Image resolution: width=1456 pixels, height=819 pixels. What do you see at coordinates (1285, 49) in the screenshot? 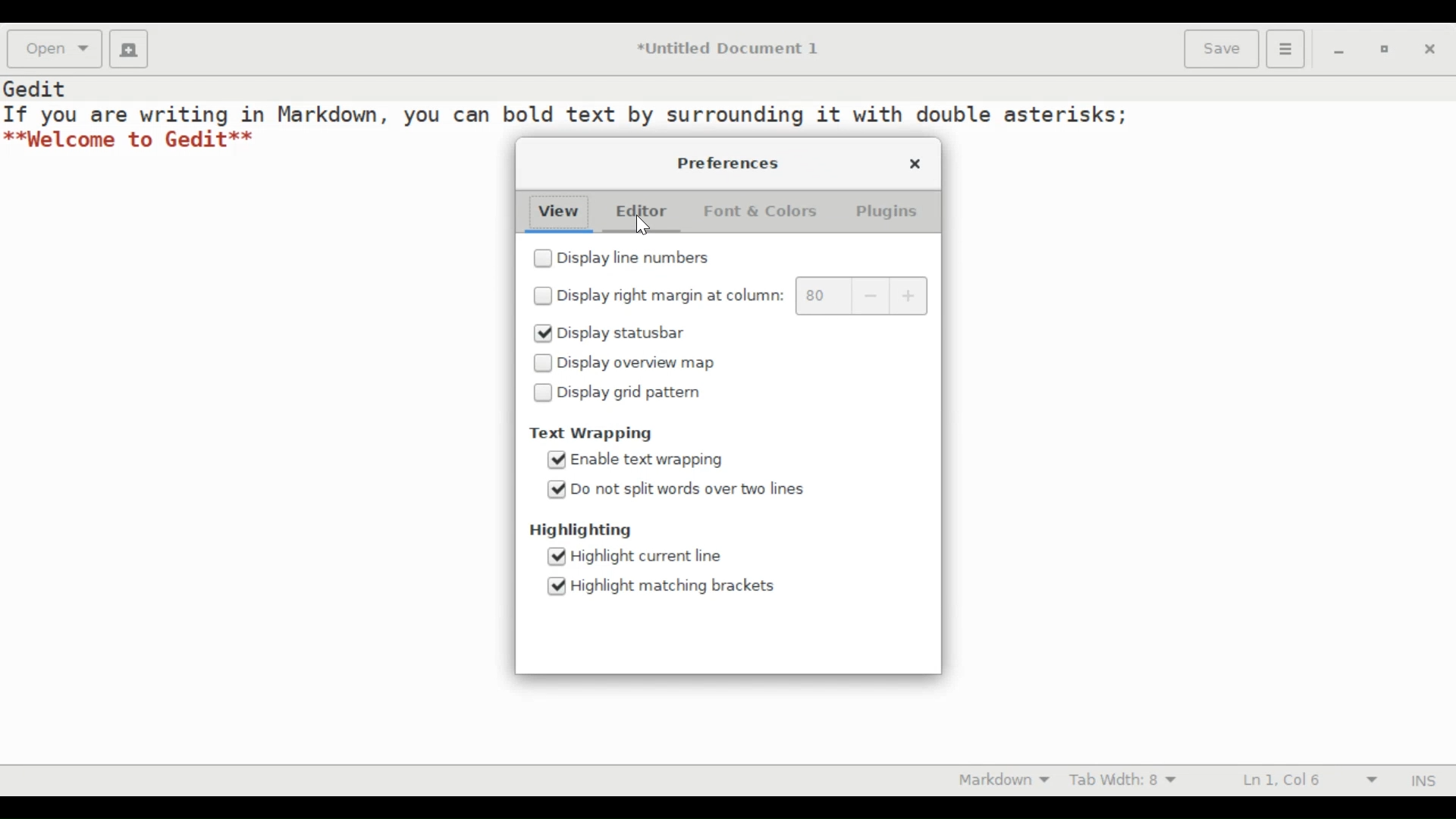
I see `Application menu` at bounding box center [1285, 49].